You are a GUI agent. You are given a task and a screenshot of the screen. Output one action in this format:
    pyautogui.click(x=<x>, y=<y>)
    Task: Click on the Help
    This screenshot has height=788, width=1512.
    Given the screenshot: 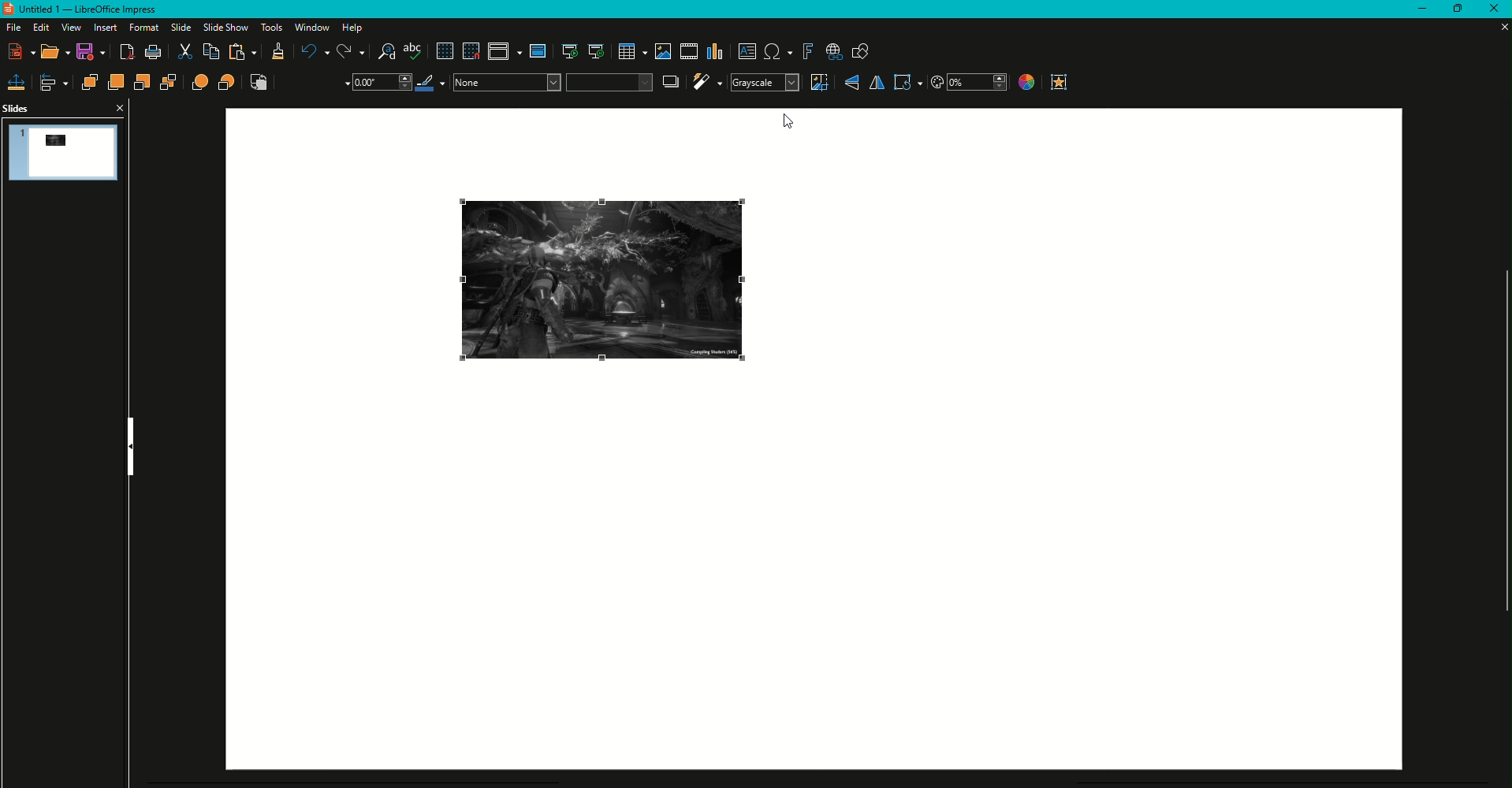 What is the action you would take?
    pyautogui.click(x=356, y=28)
    